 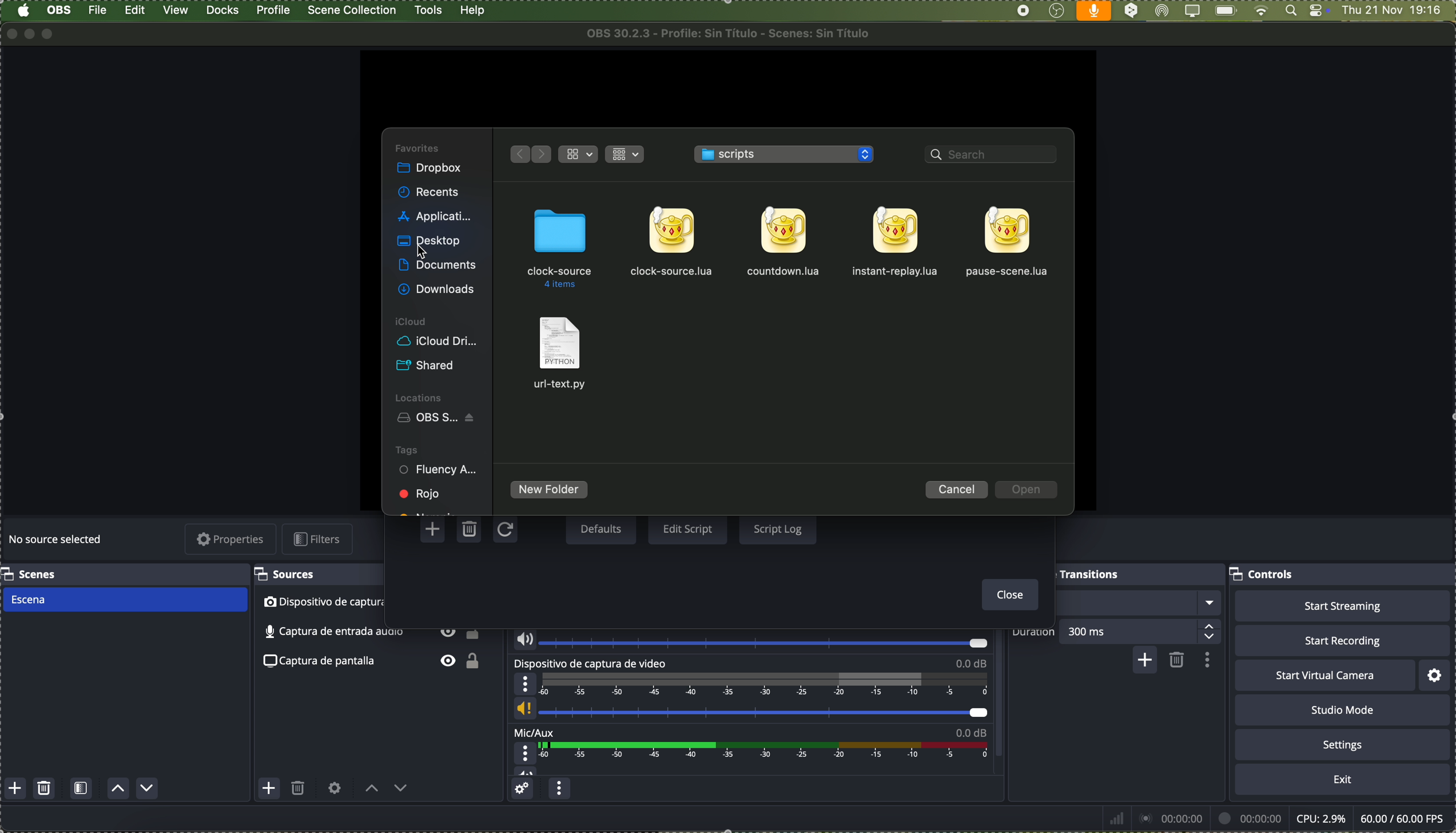 I want to click on properties, so click(x=232, y=540).